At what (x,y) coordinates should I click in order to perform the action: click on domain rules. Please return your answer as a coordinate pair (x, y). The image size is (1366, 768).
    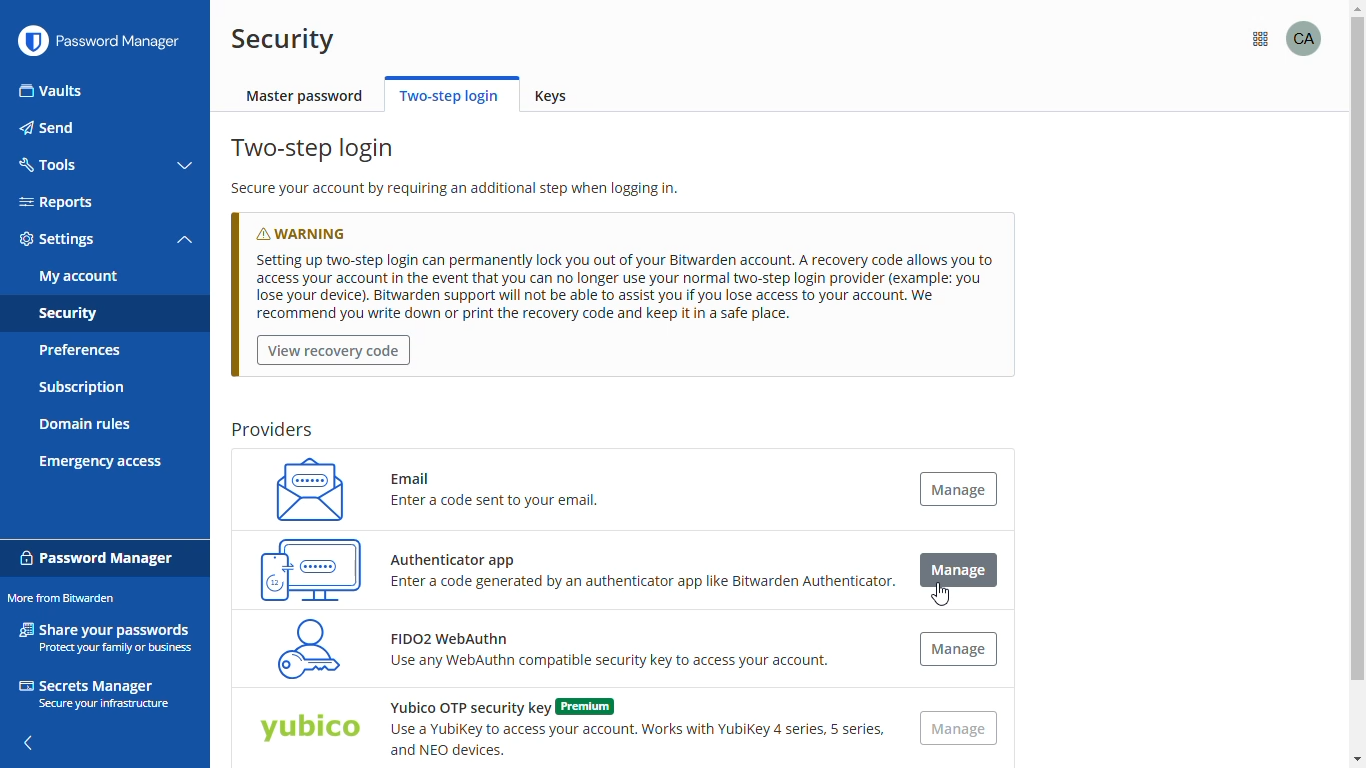
    Looking at the image, I should click on (85, 426).